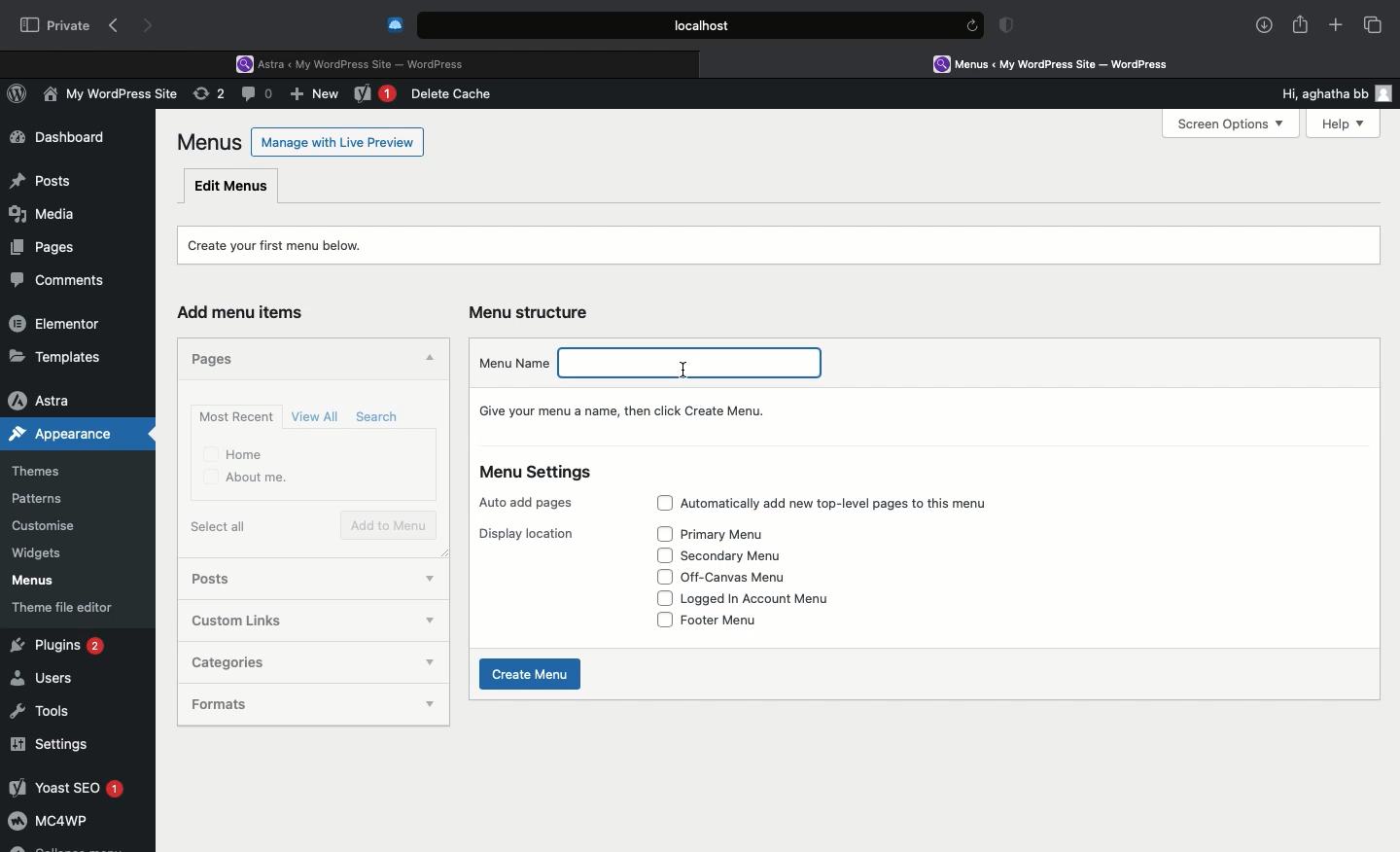 The width and height of the screenshot is (1400, 852). I want to click on Elementor, so click(58, 323).